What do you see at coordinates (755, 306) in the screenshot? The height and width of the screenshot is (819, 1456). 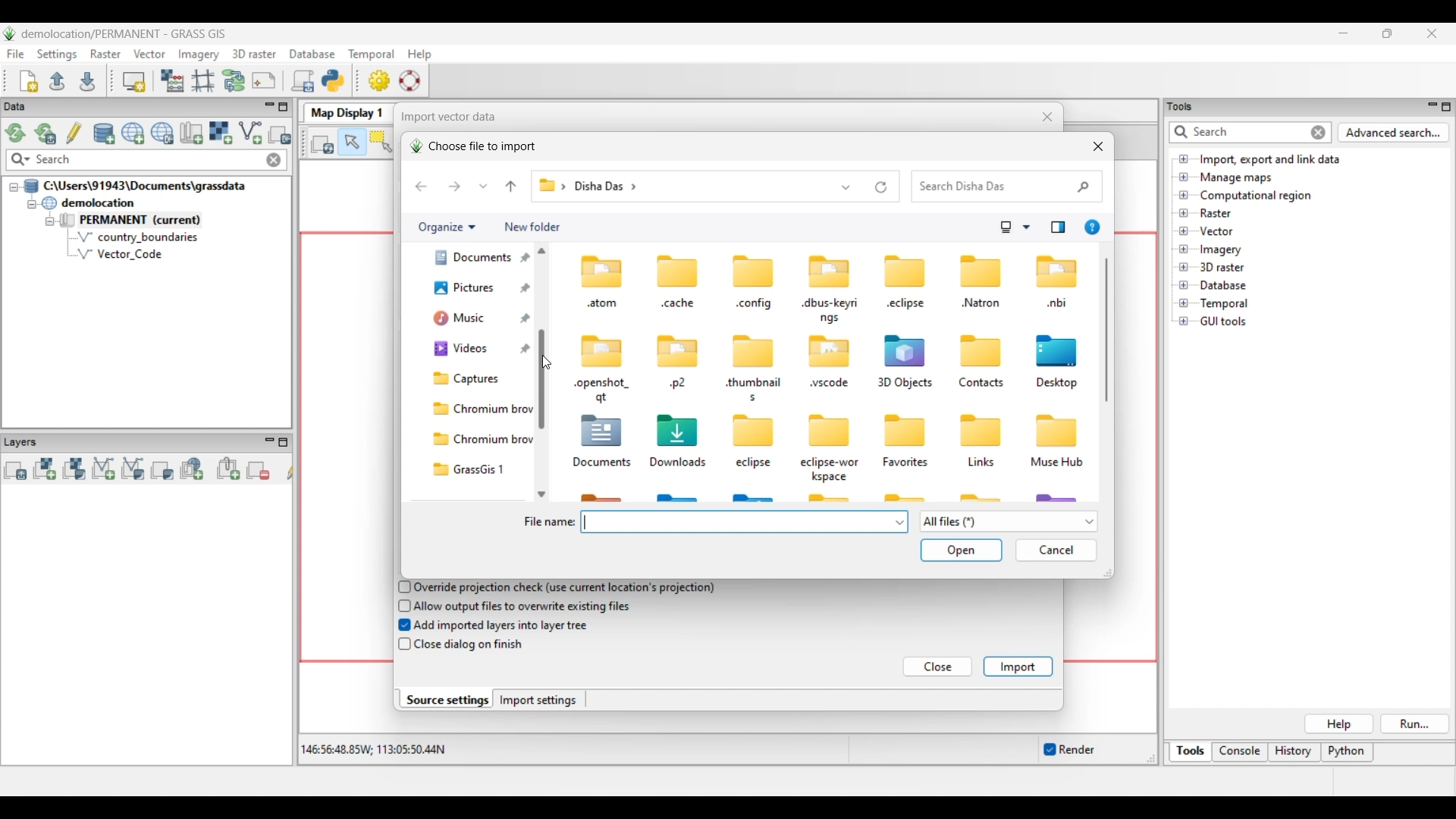 I see `«config` at bounding box center [755, 306].